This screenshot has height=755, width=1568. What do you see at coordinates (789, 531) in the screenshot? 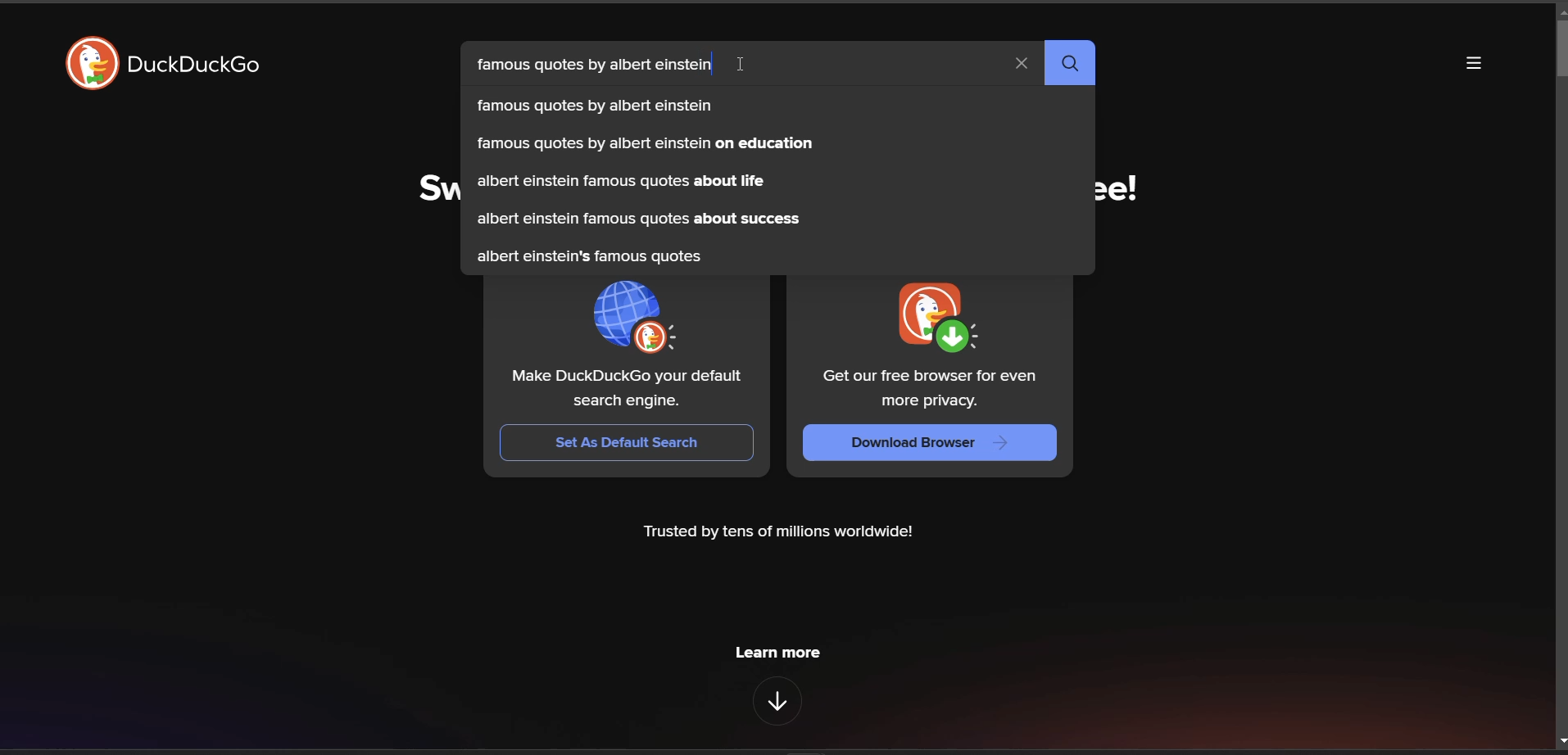
I see `Trusted by tens of millions worldwide!` at bounding box center [789, 531].